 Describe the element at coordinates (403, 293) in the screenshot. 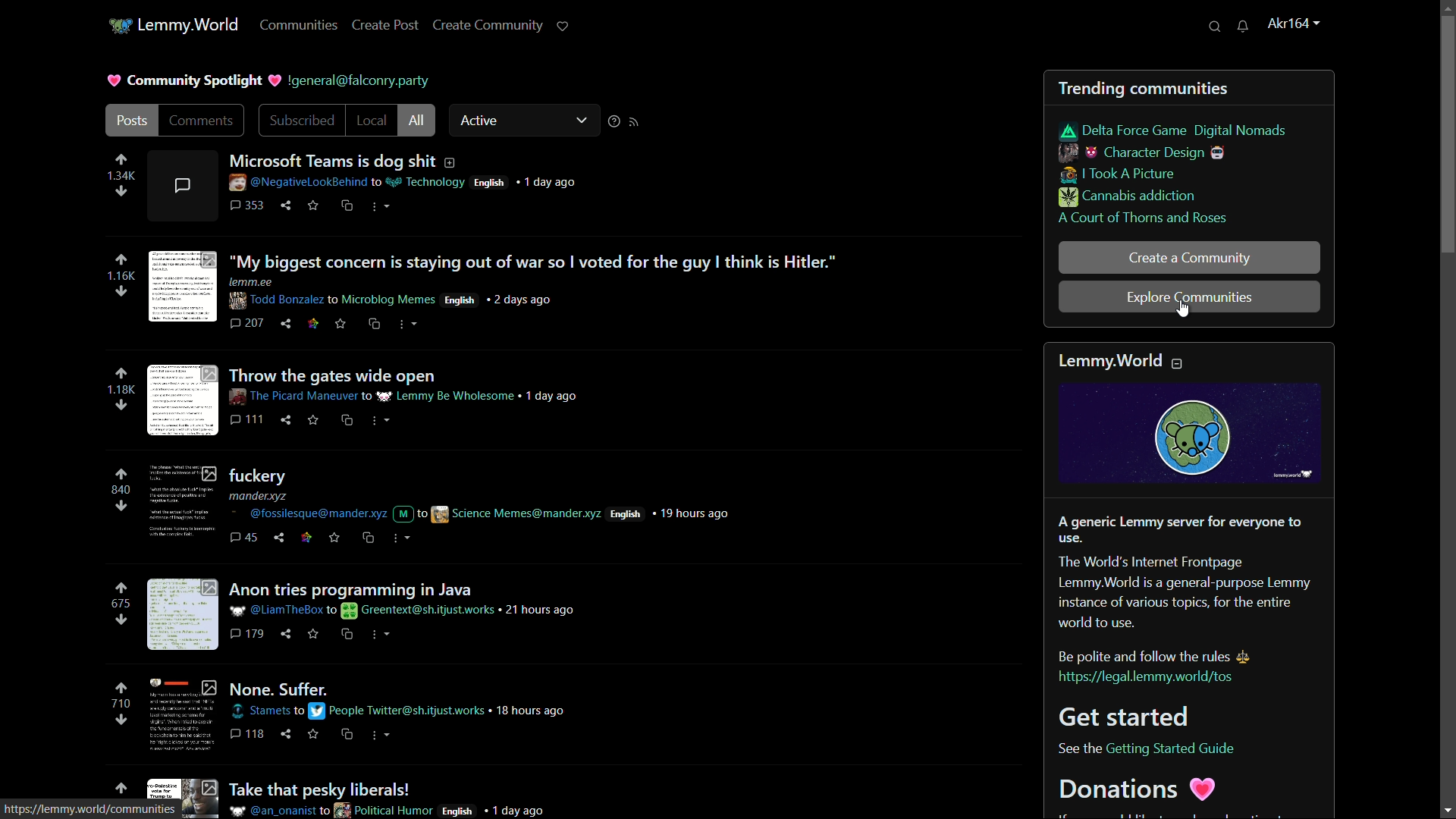

I see `post details` at that location.